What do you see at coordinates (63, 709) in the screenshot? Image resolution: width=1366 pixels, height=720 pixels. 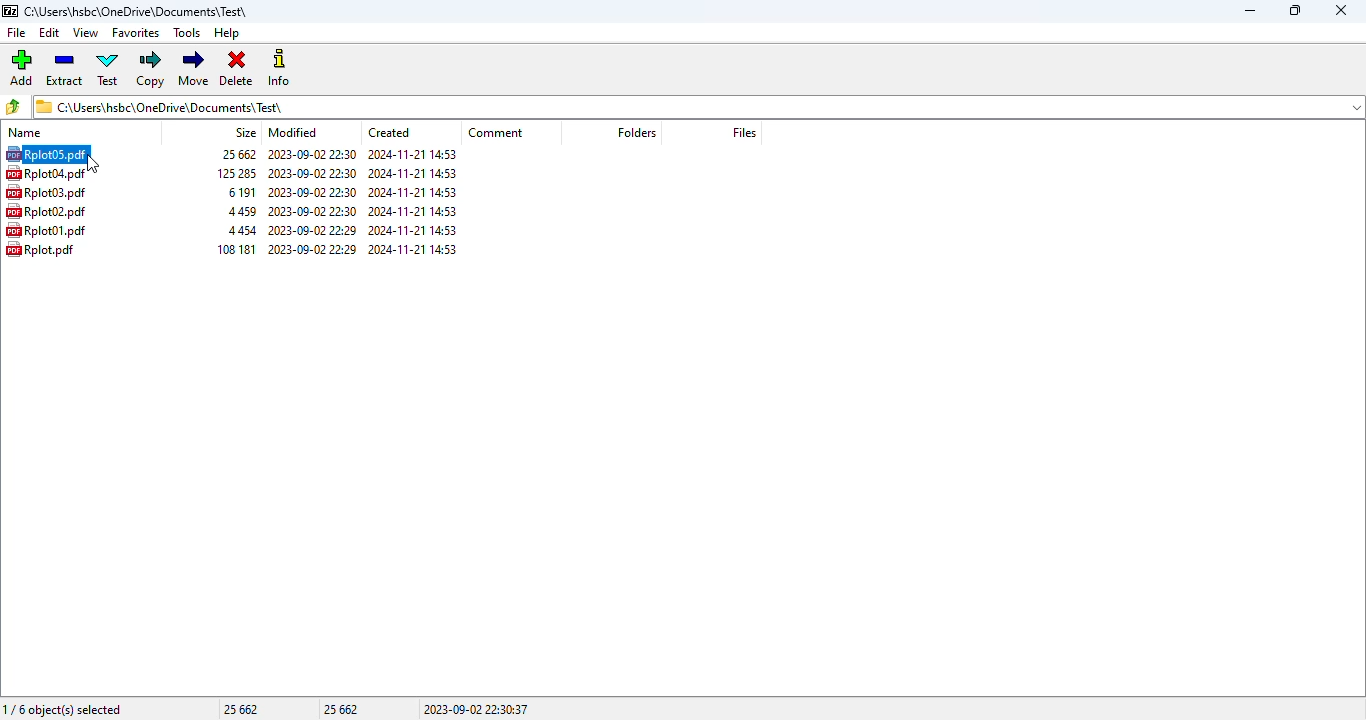 I see `1/6 object(s) selected` at bounding box center [63, 709].